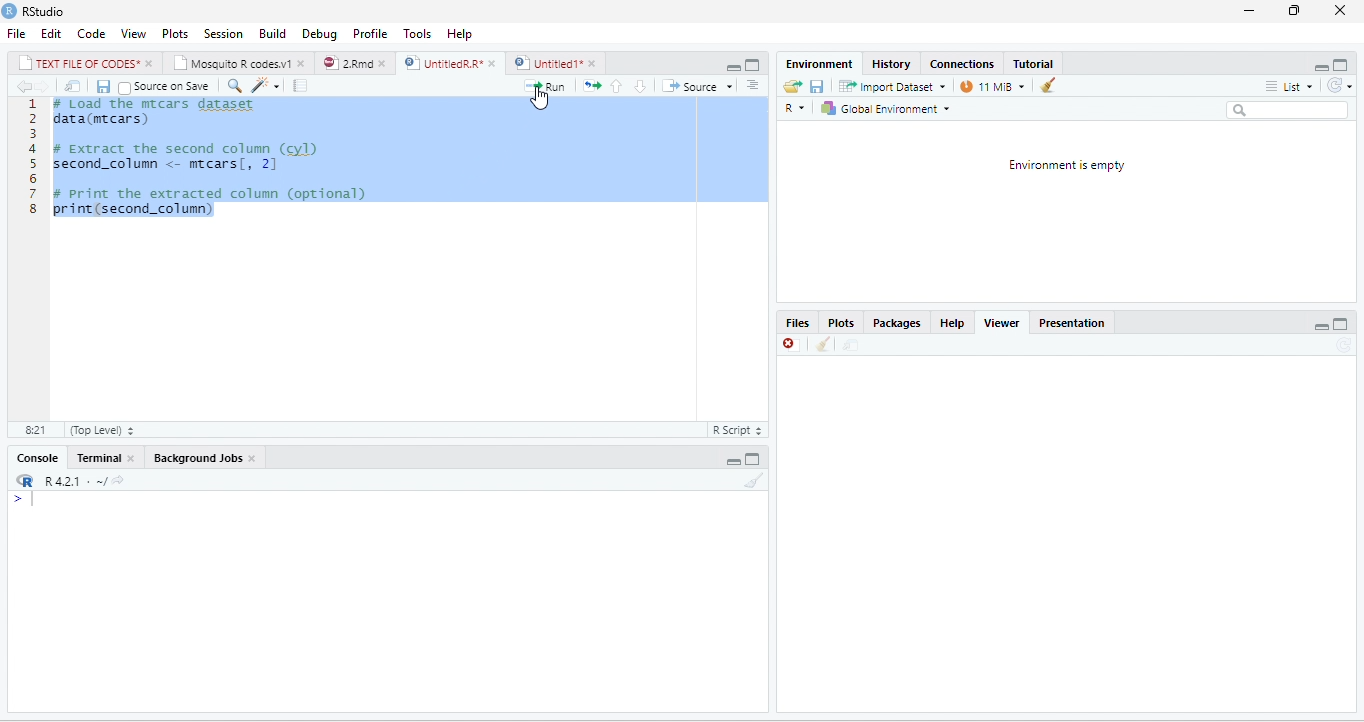 This screenshot has height=722, width=1364. Describe the element at coordinates (544, 85) in the screenshot. I see `run the current line or selection` at that location.